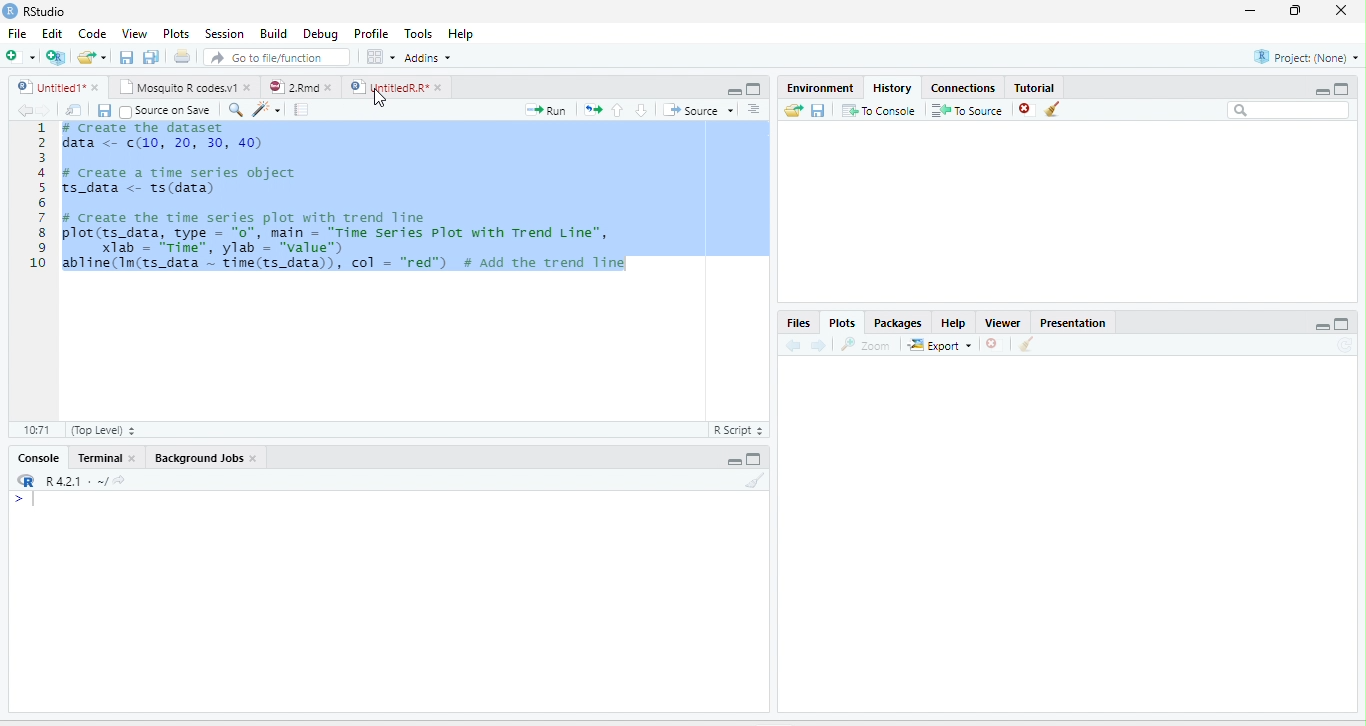 The width and height of the screenshot is (1366, 726). Describe the element at coordinates (51, 33) in the screenshot. I see `Edit` at that location.